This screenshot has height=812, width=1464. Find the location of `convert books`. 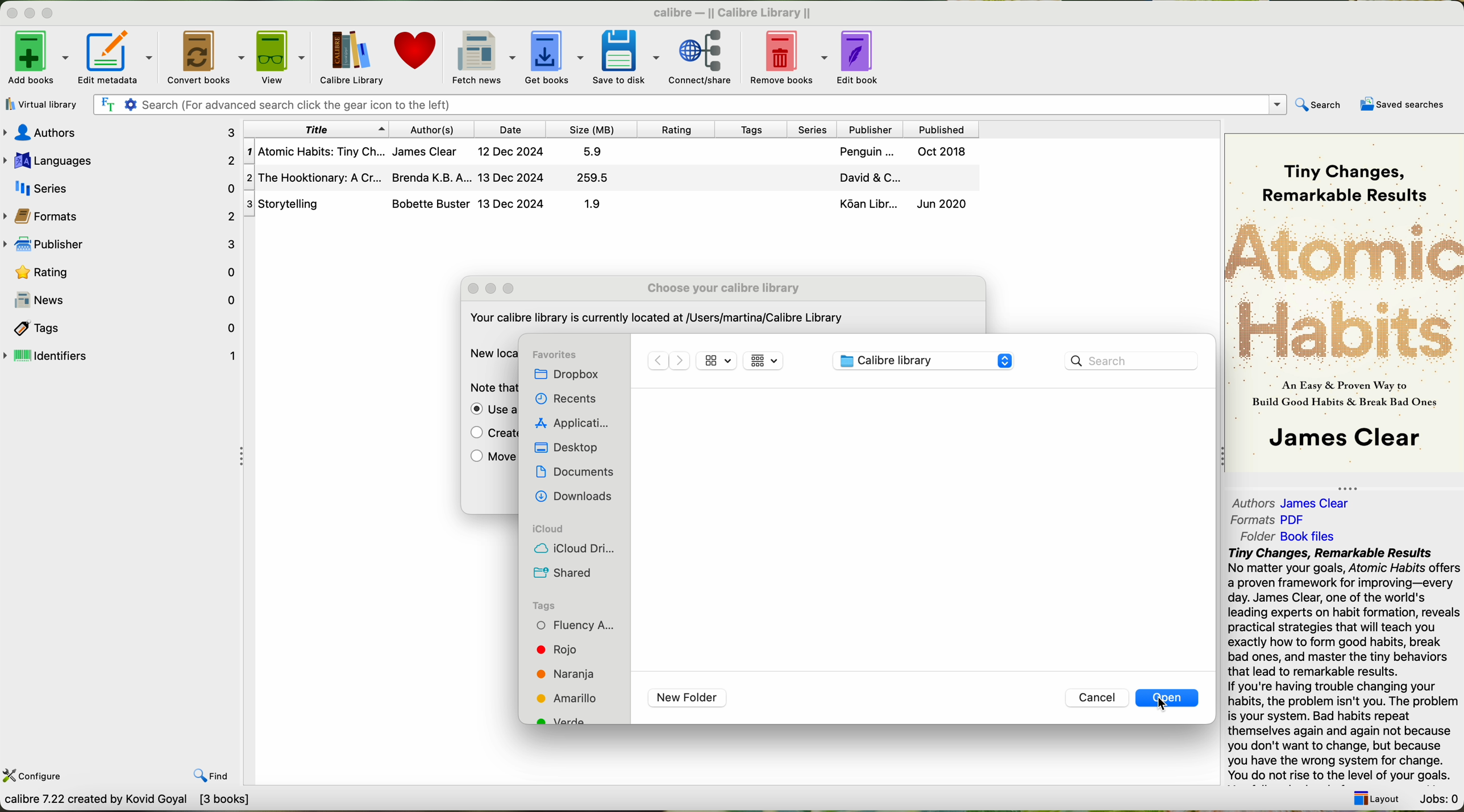

convert books is located at coordinates (203, 56).